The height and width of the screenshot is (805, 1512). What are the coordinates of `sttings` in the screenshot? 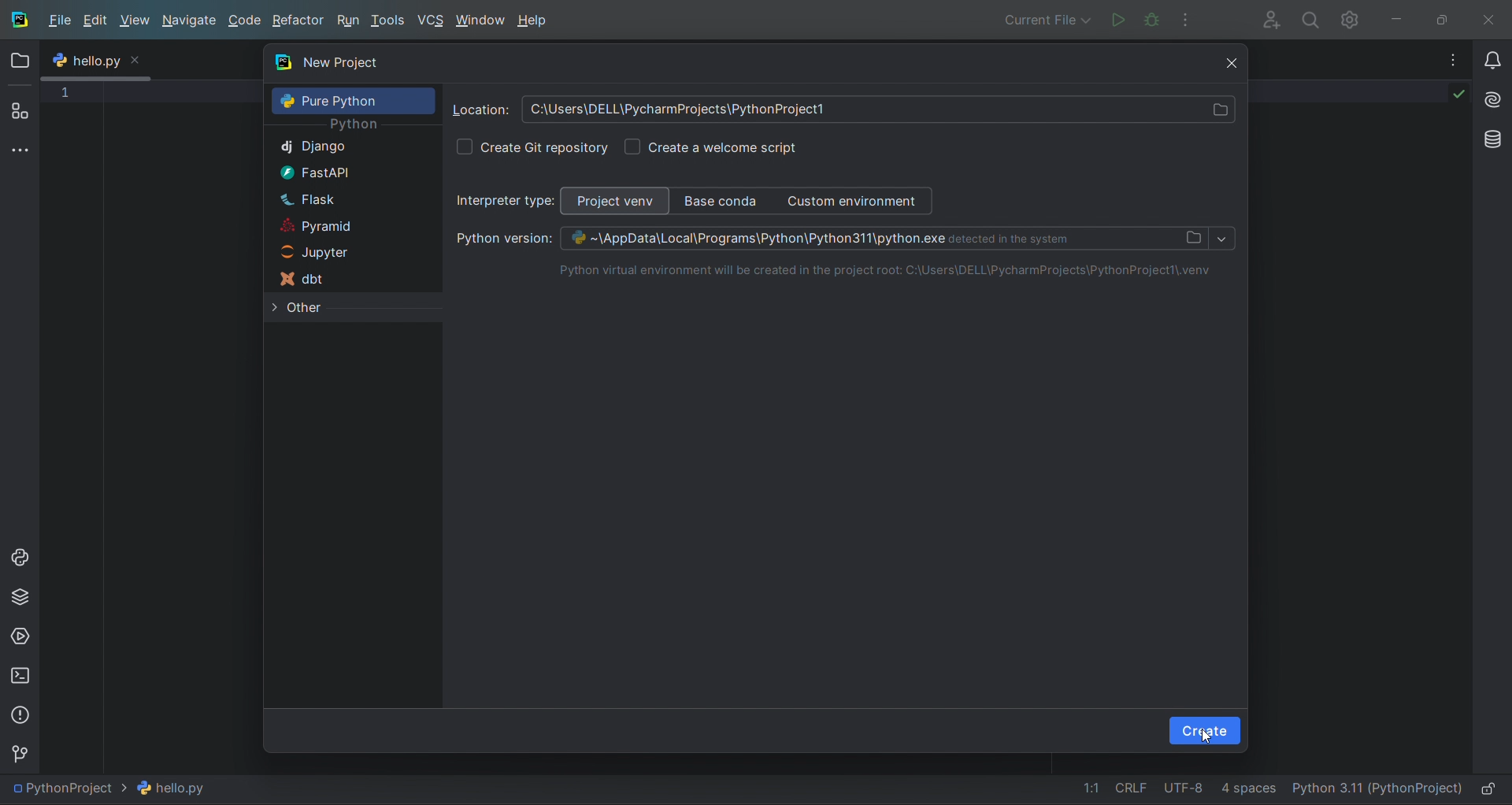 It's located at (1354, 19).